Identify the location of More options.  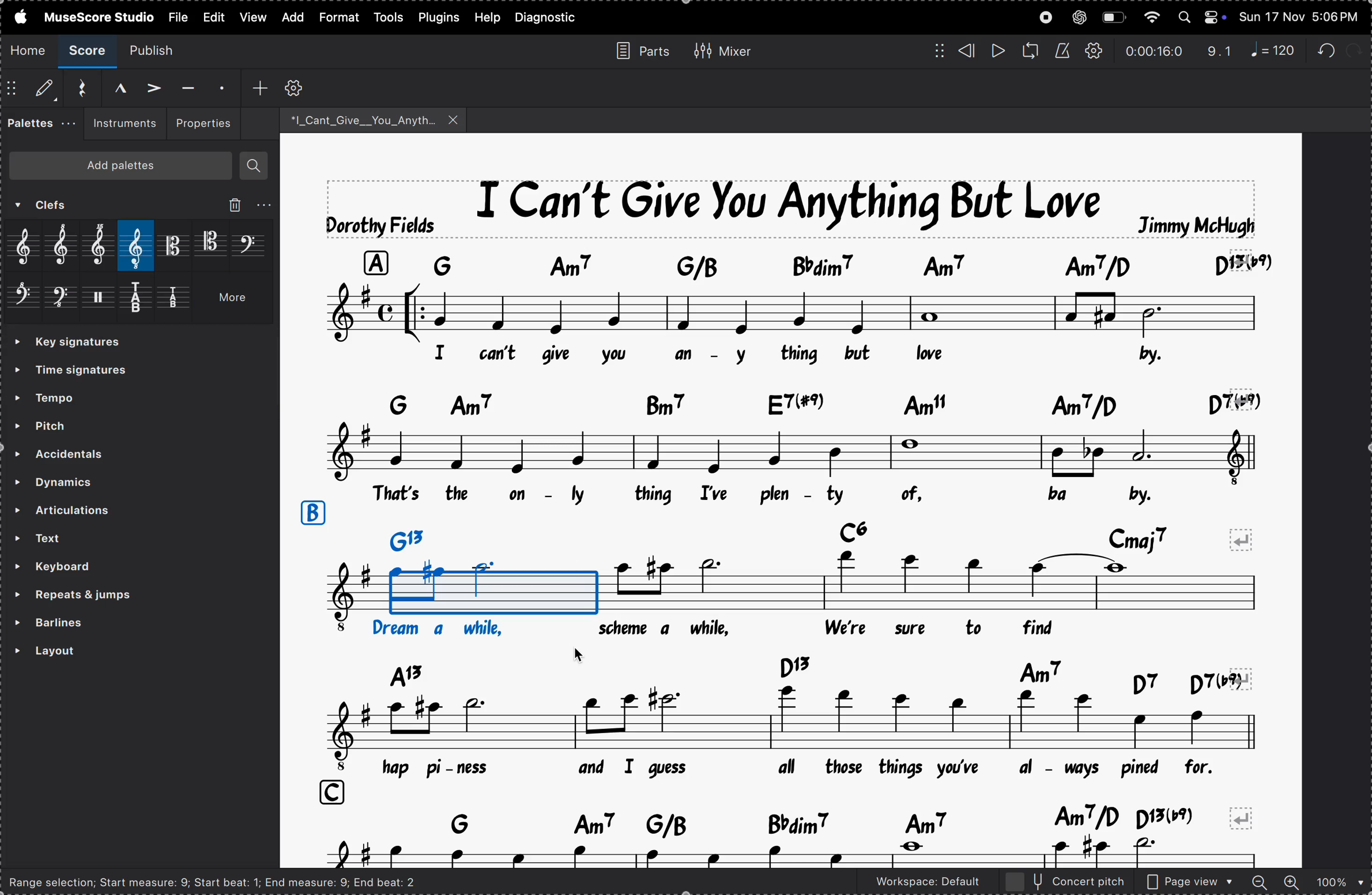
(267, 201).